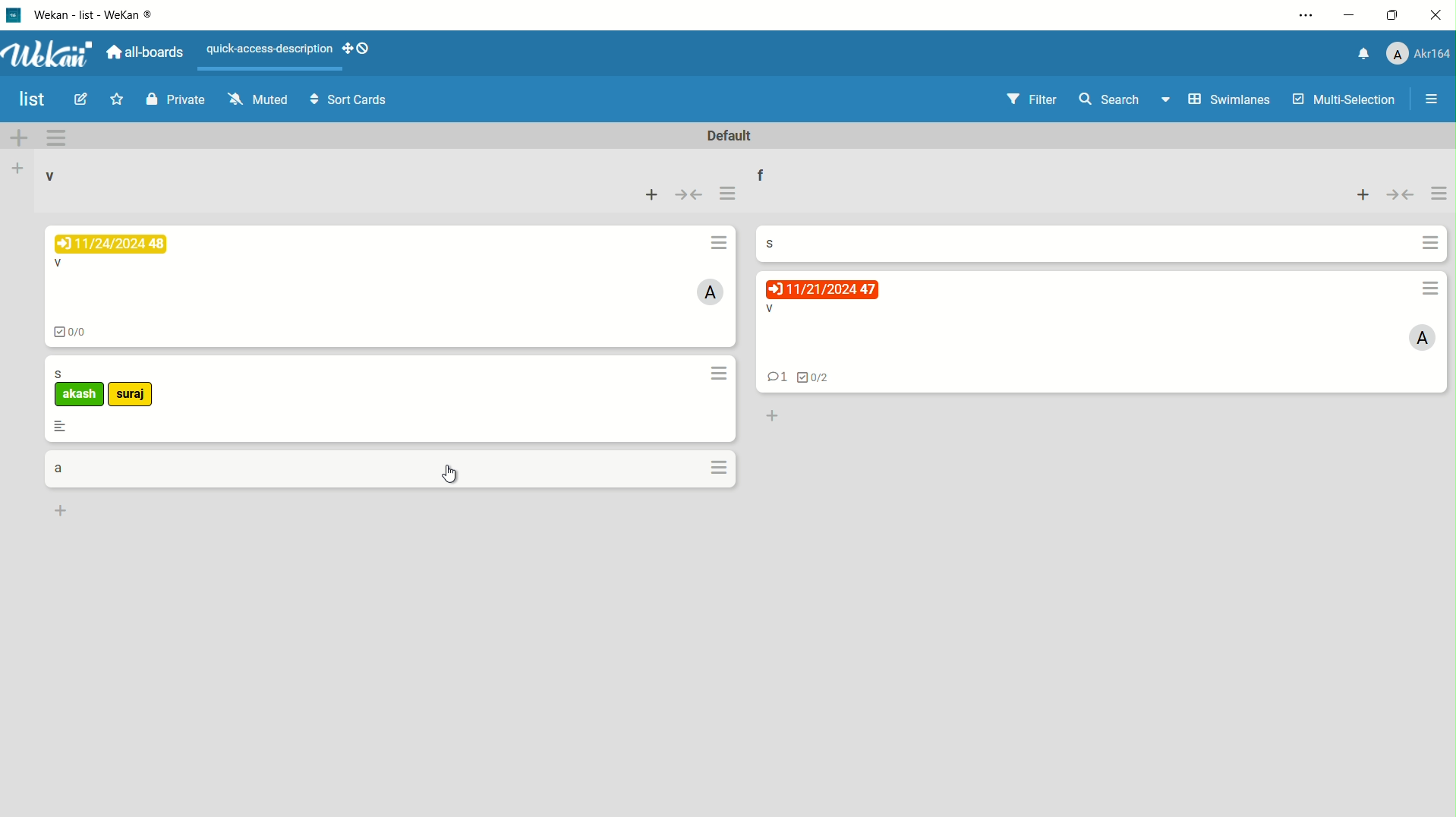 Image resolution: width=1456 pixels, height=817 pixels. I want to click on add card bottom, so click(61, 512).